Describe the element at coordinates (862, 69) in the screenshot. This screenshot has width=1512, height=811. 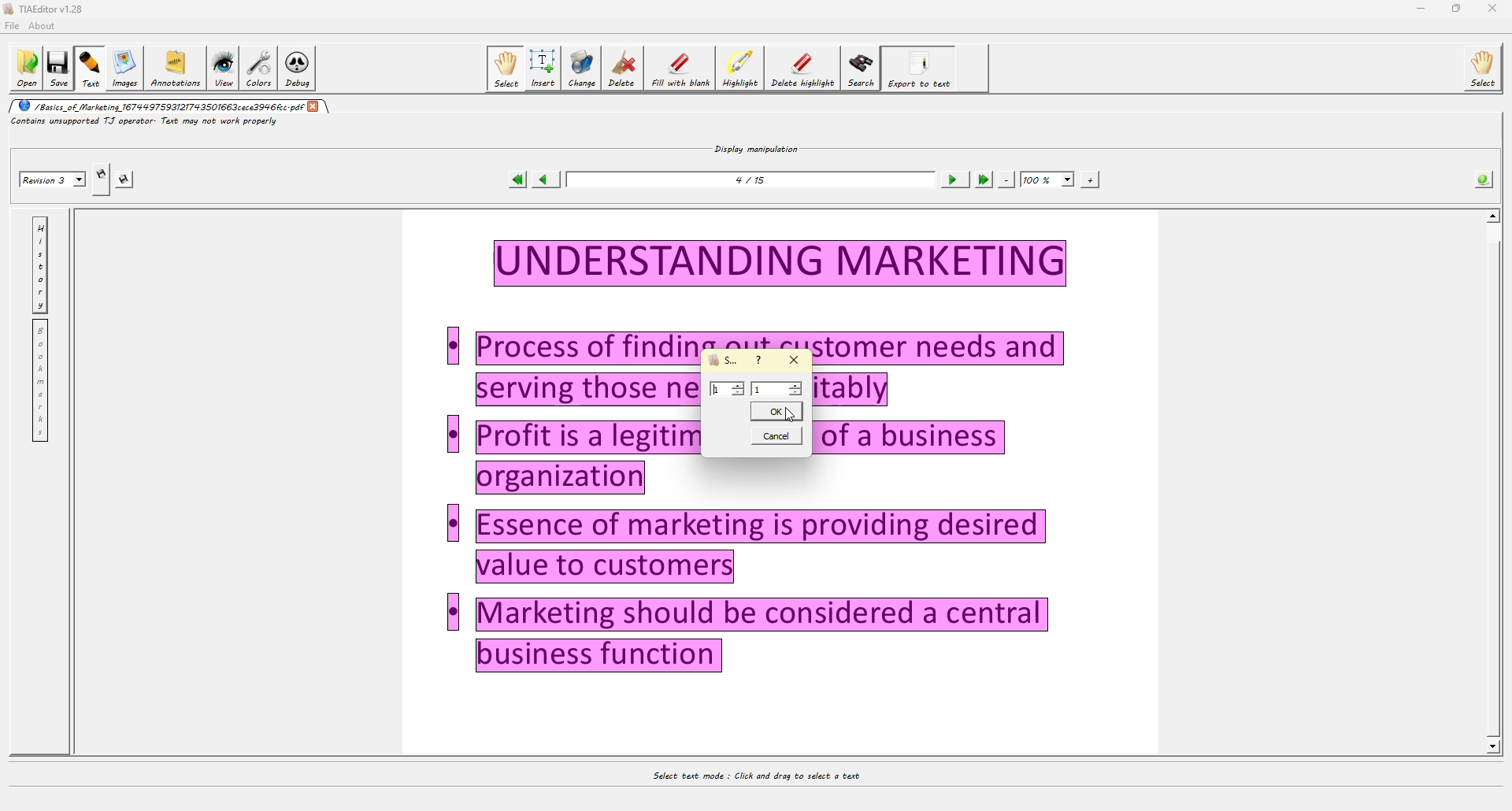
I see `search` at that location.